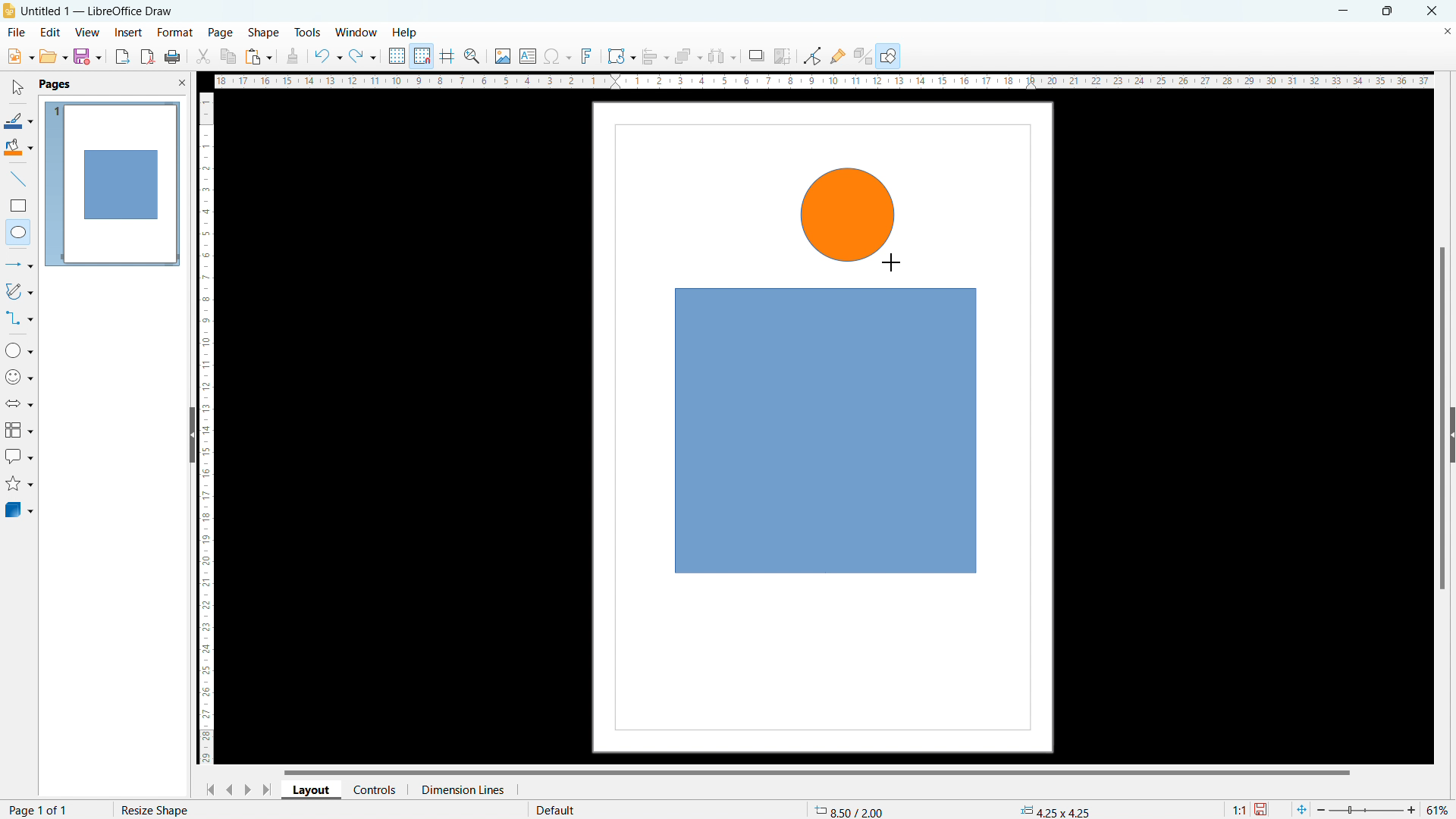 The width and height of the screenshot is (1456, 819). Describe the element at coordinates (20, 430) in the screenshot. I see `flowchart` at that location.